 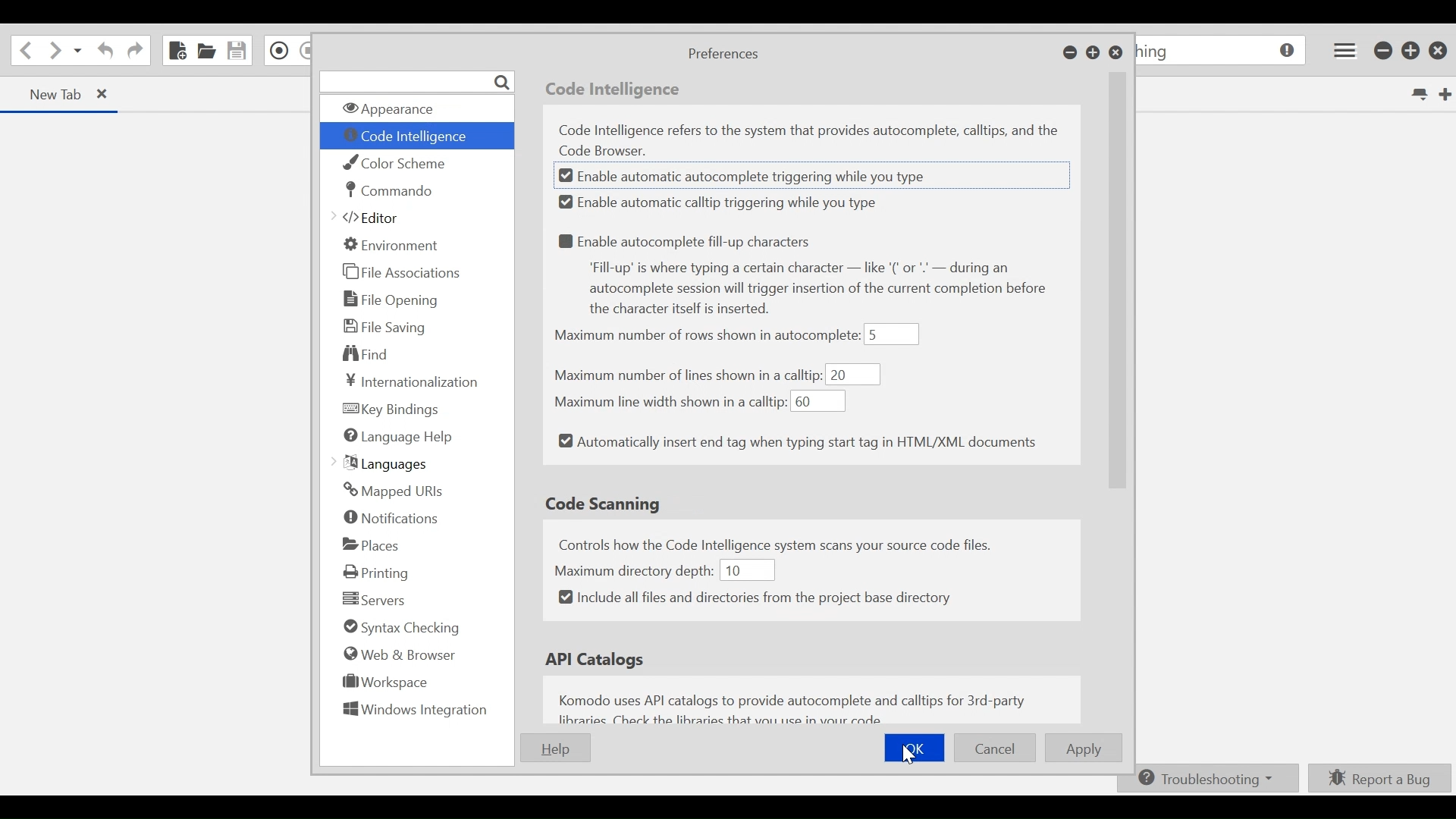 I want to click on enable automatic autocomplete triggering while you type, so click(x=757, y=178).